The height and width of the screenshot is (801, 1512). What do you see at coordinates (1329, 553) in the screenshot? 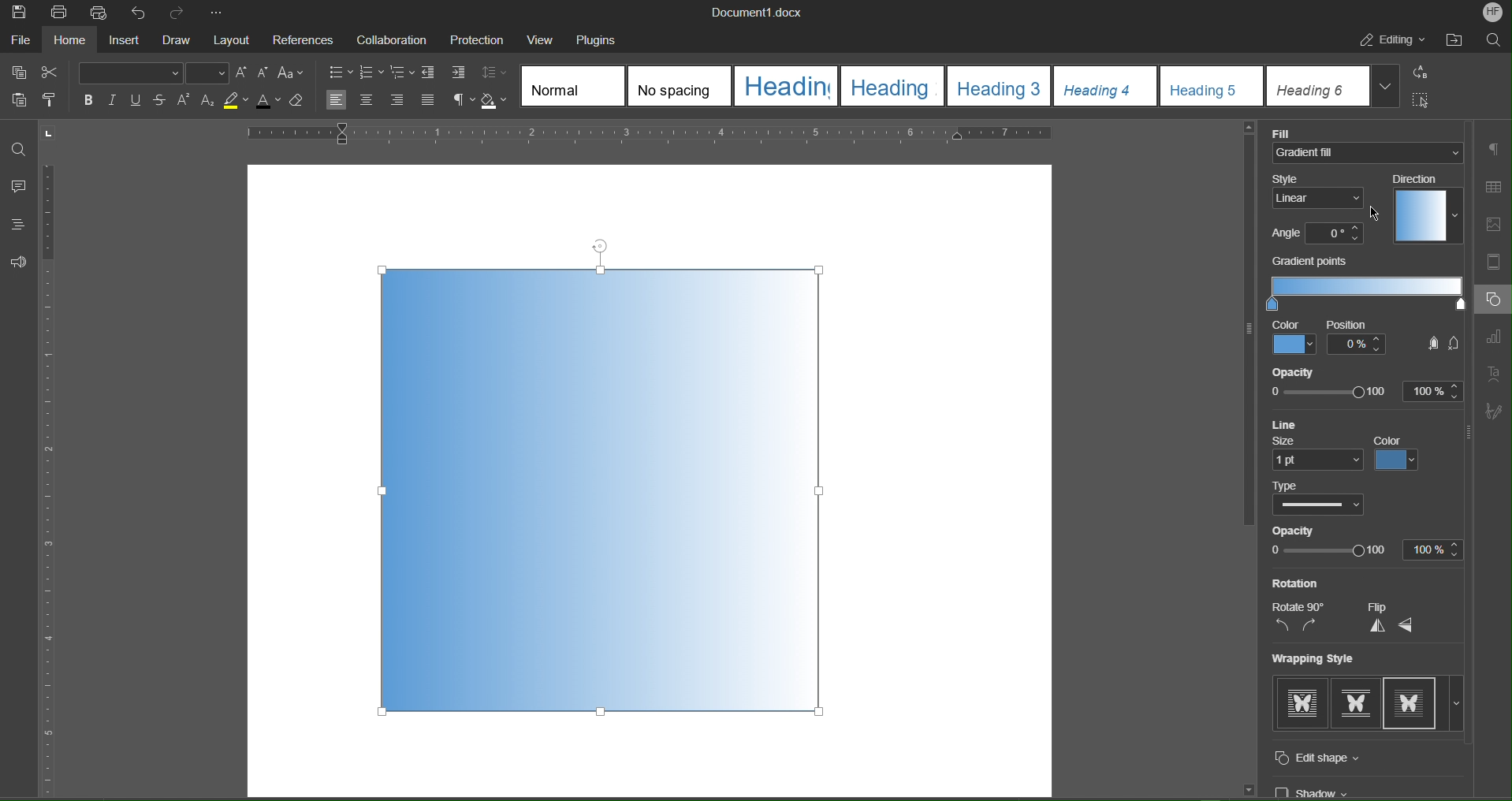
I see `0- 100` at bounding box center [1329, 553].